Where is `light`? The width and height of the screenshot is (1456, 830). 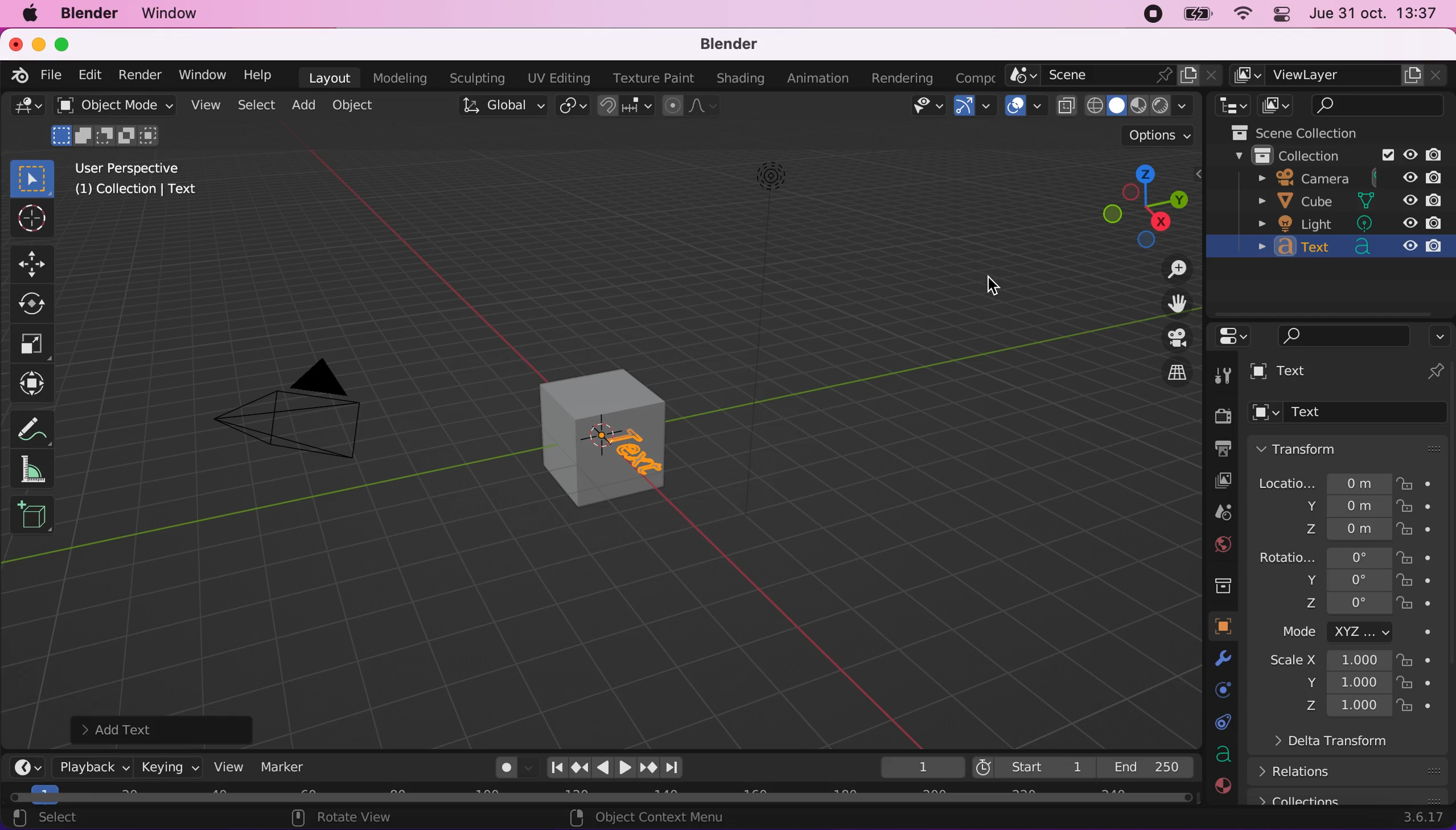
light is located at coordinates (766, 258).